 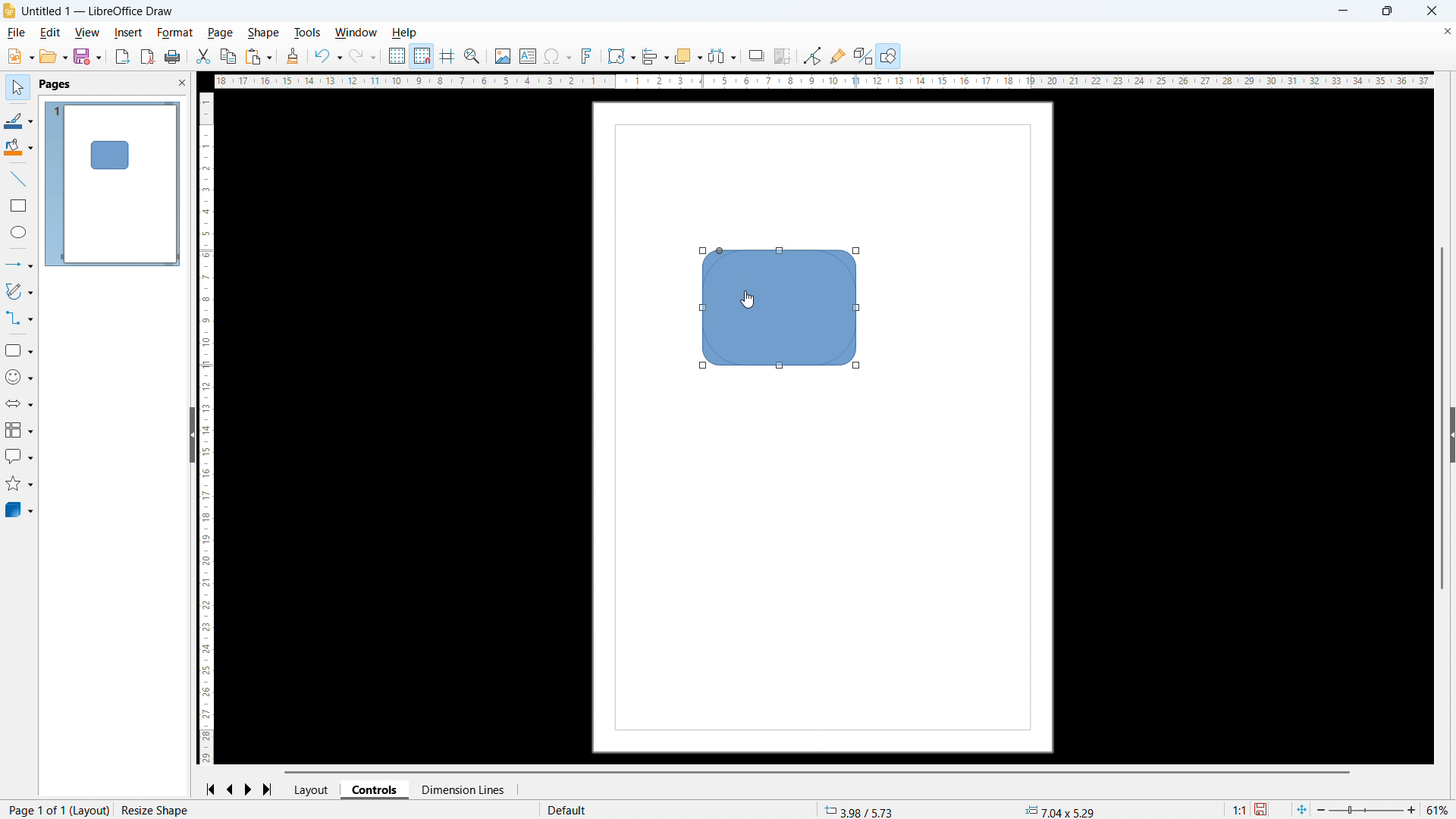 I want to click on Select at least three objects to distribute , so click(x=722, y=56).